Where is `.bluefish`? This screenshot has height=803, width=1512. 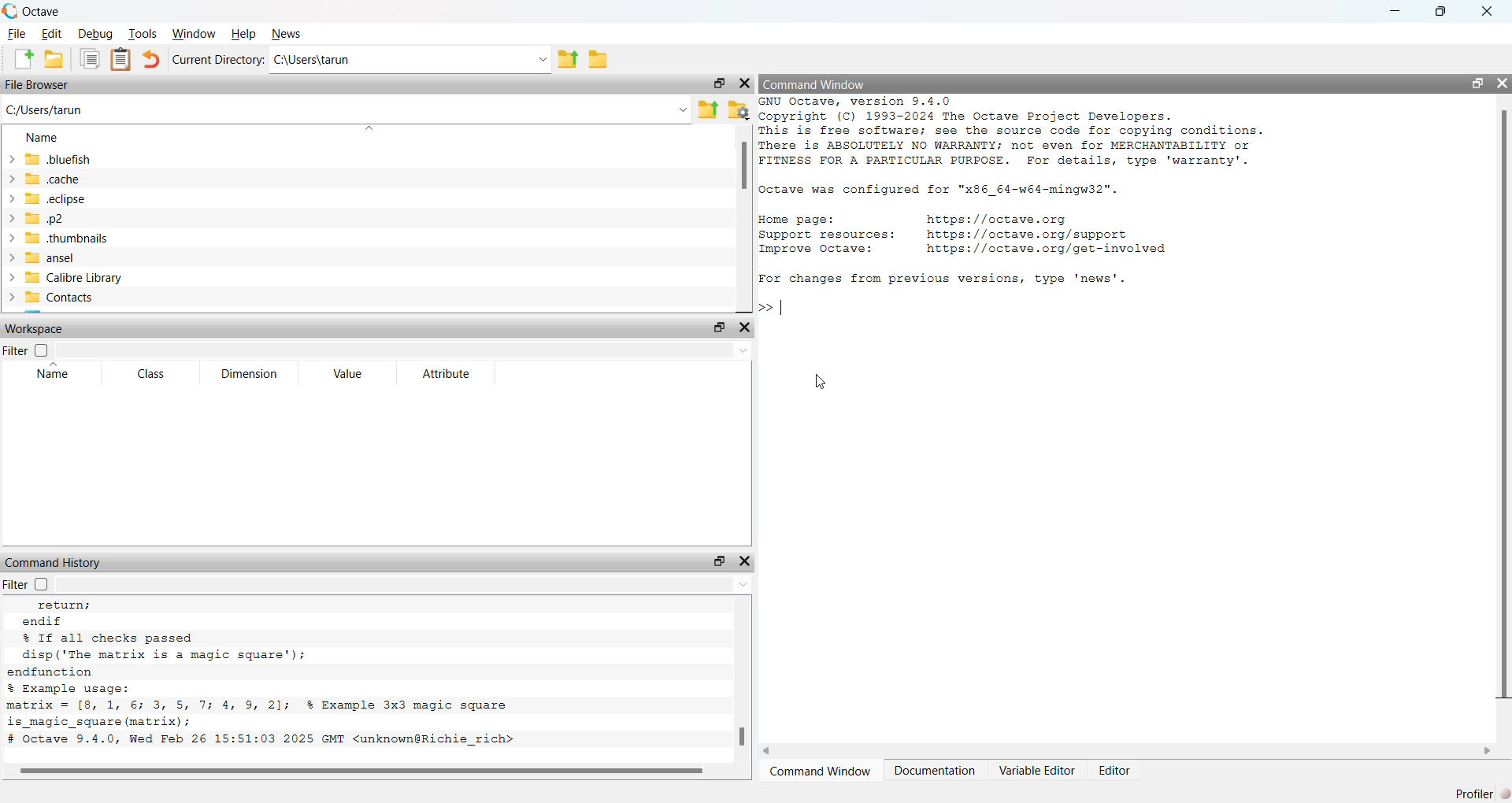
.bluefish is located at coordinates (49, 158).